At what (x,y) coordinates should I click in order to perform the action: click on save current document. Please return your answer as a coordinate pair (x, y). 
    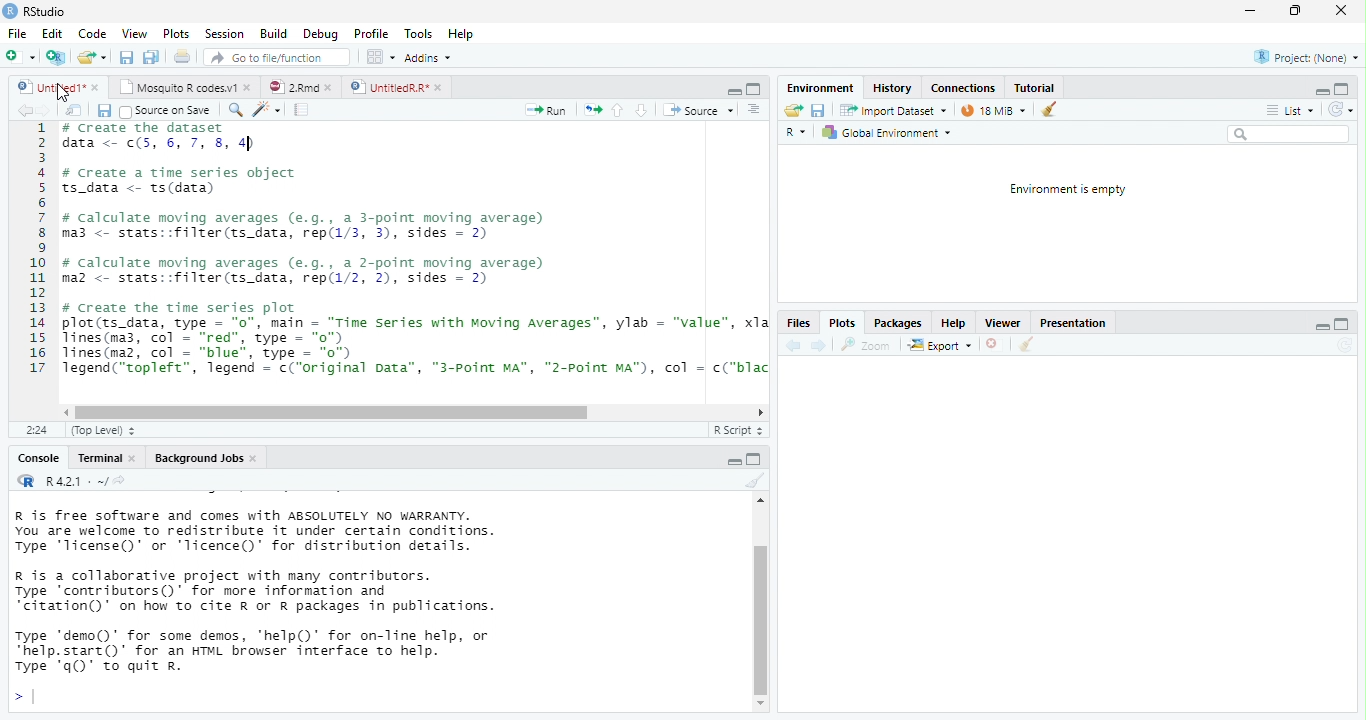
    Looking at the image, I should click on (819, 111).